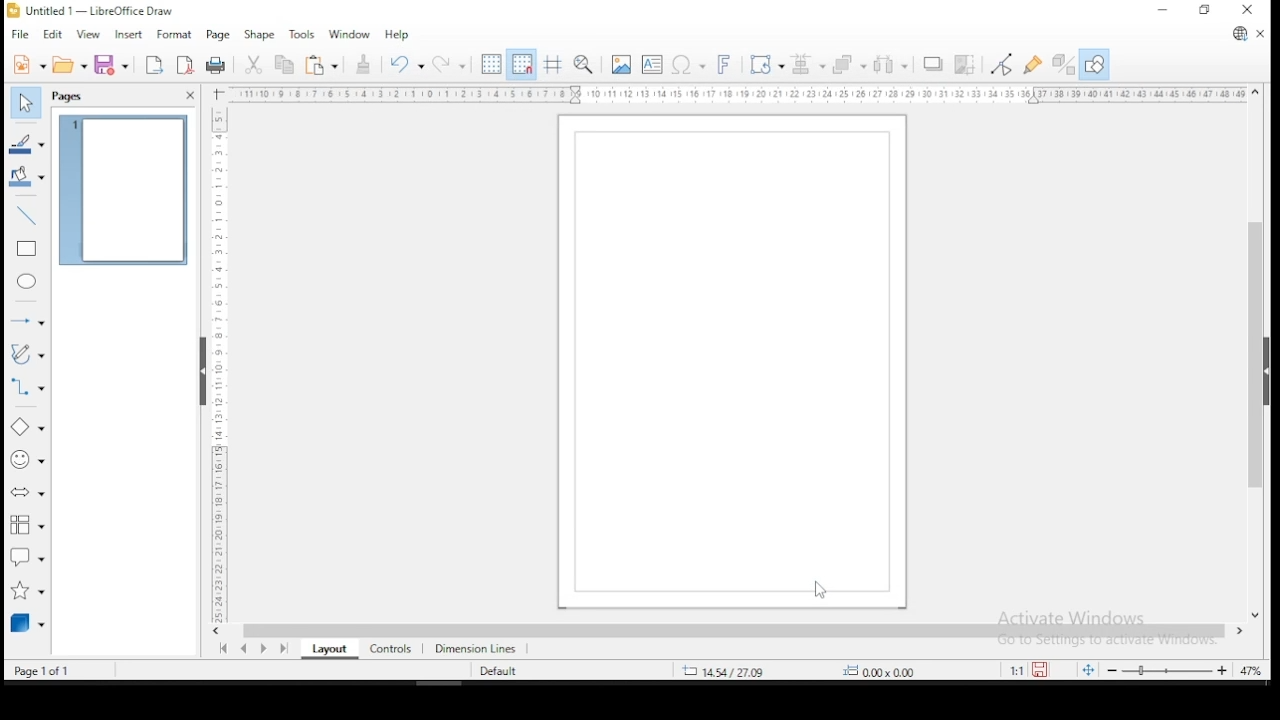  I want to click on 0.00 x 0.00, so click(901, 671).